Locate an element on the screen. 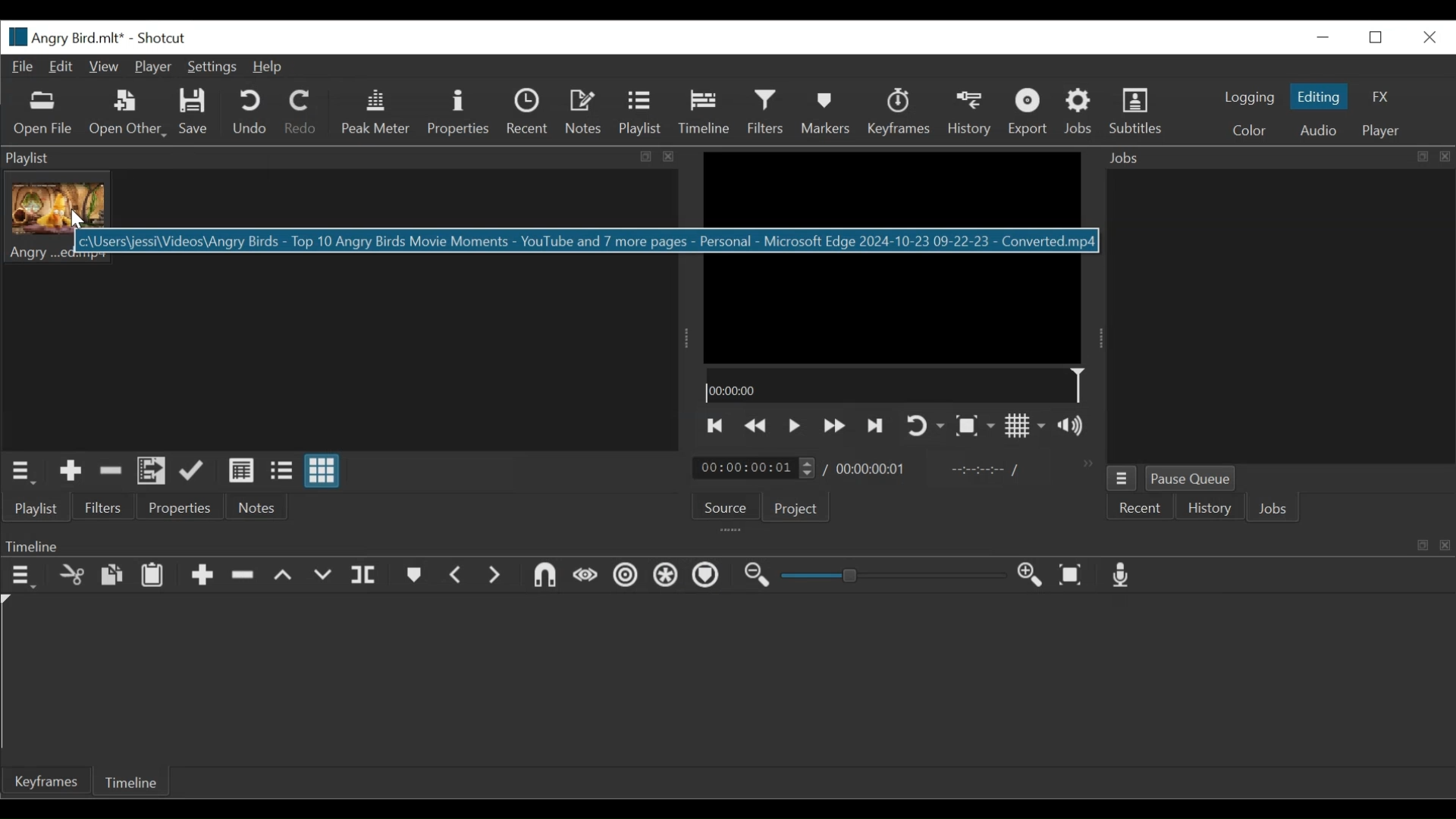 The width and height of the screenshot is (1456, 819). Recent is located at coordinates (529, 113).